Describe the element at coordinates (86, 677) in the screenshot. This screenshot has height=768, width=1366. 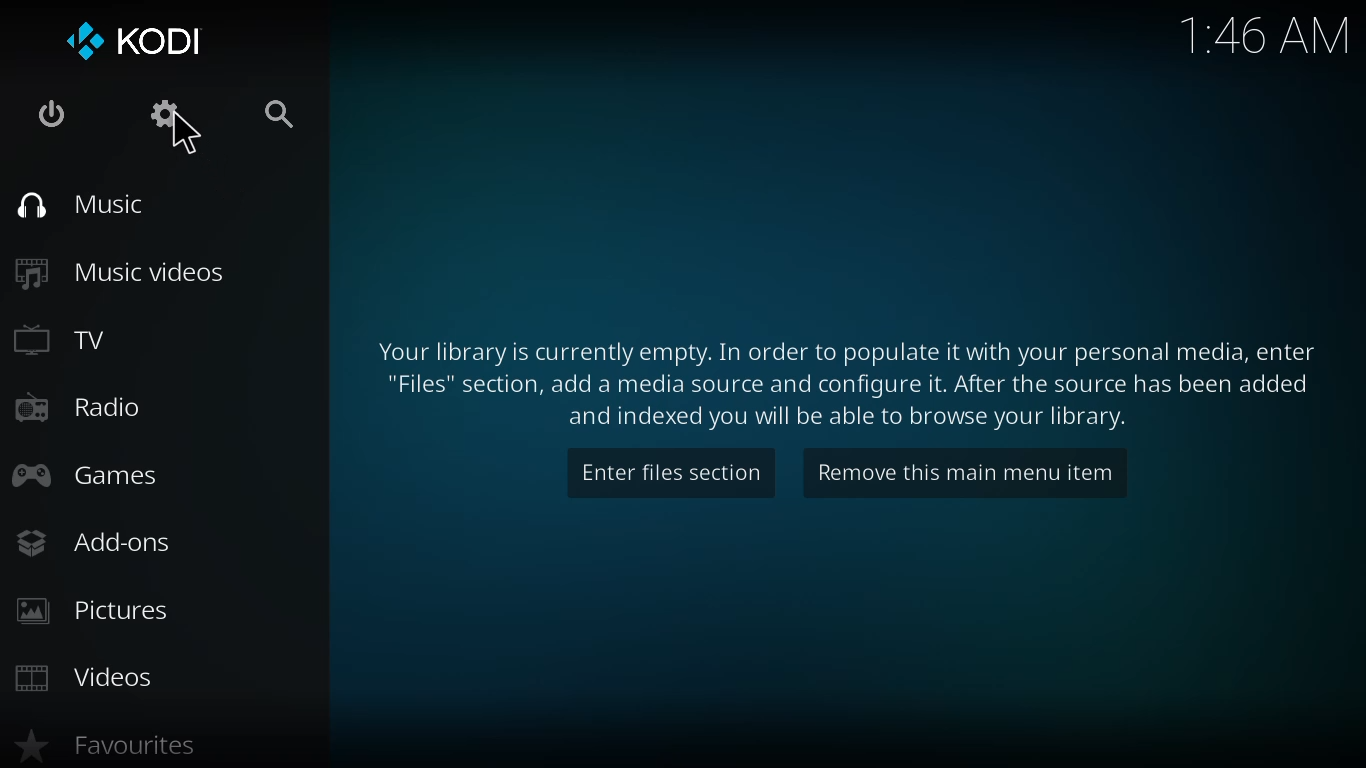
I see `videos` at that location.